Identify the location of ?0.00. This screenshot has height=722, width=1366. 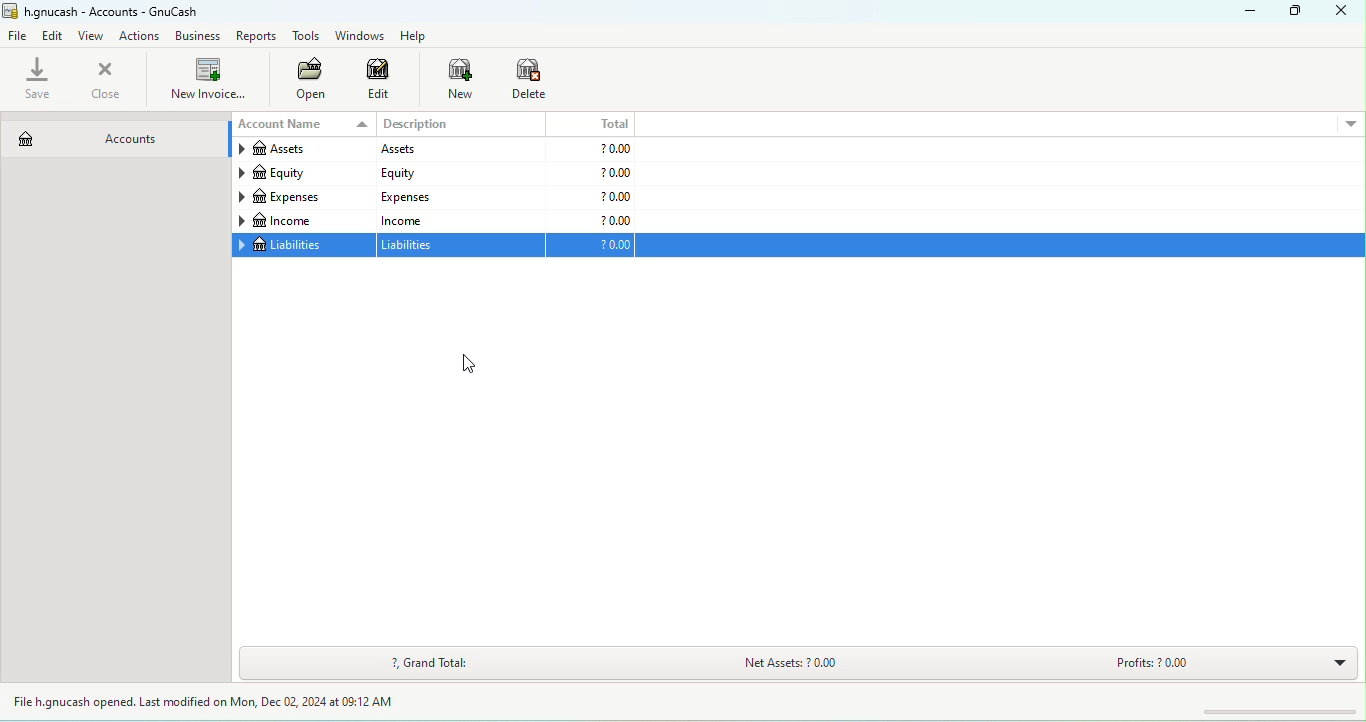
(590, 174).